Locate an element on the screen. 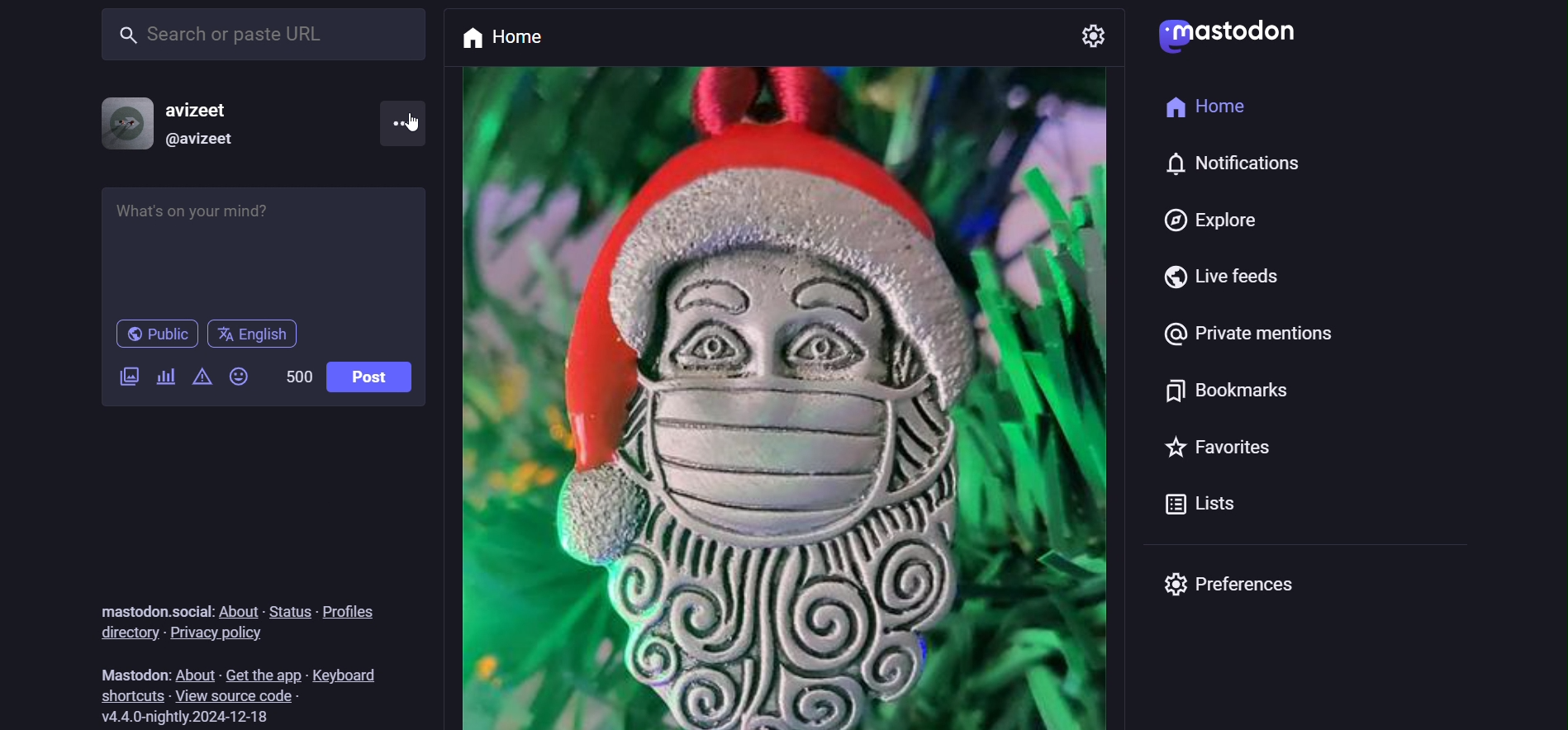 The height and width of the screenshot is (730, 1568). preferences is located at coordinates (1220, 587).